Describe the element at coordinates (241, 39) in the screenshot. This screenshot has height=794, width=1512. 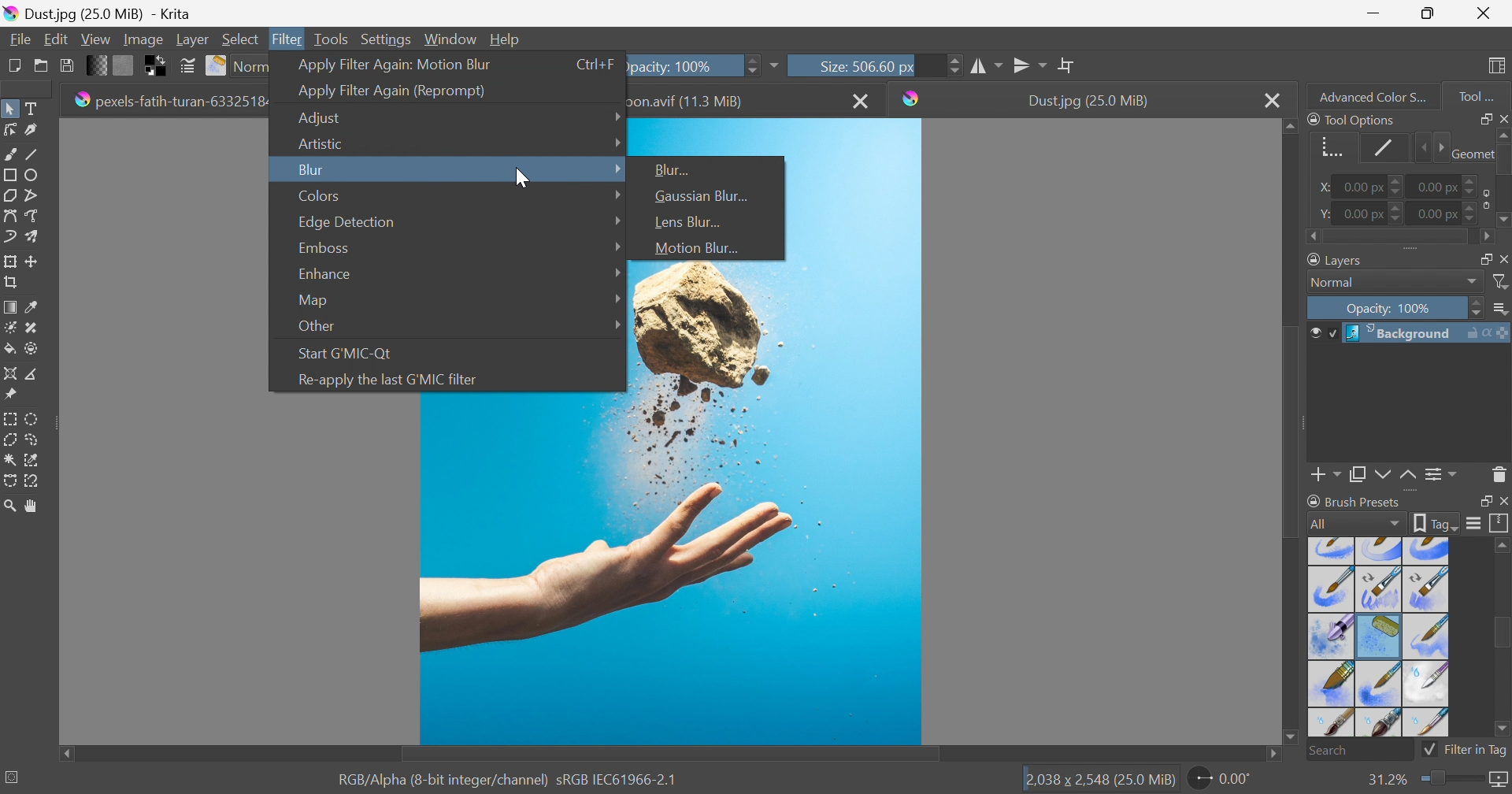
I see `Select` at that location.